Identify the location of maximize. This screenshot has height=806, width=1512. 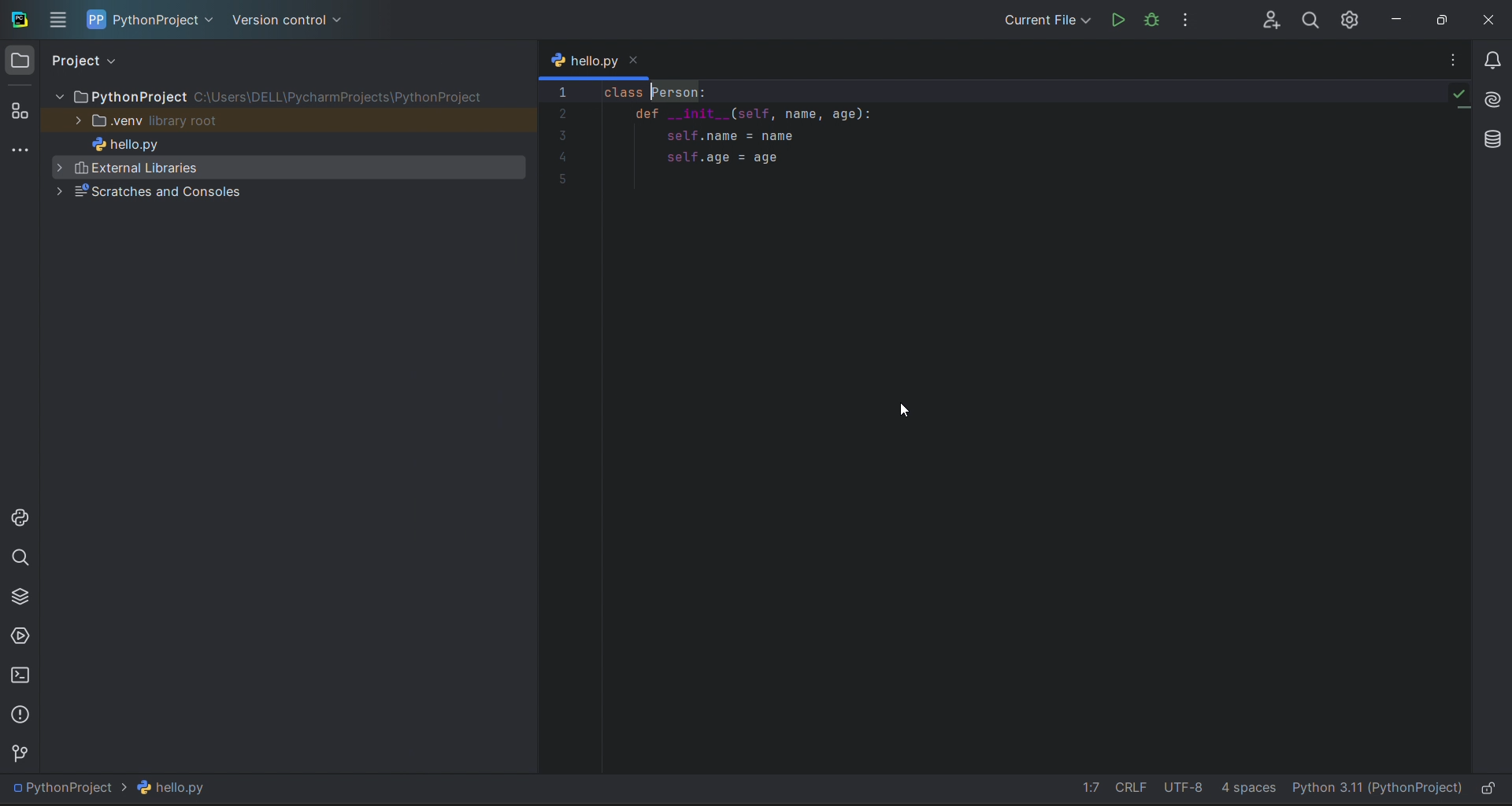
(1441, 17).